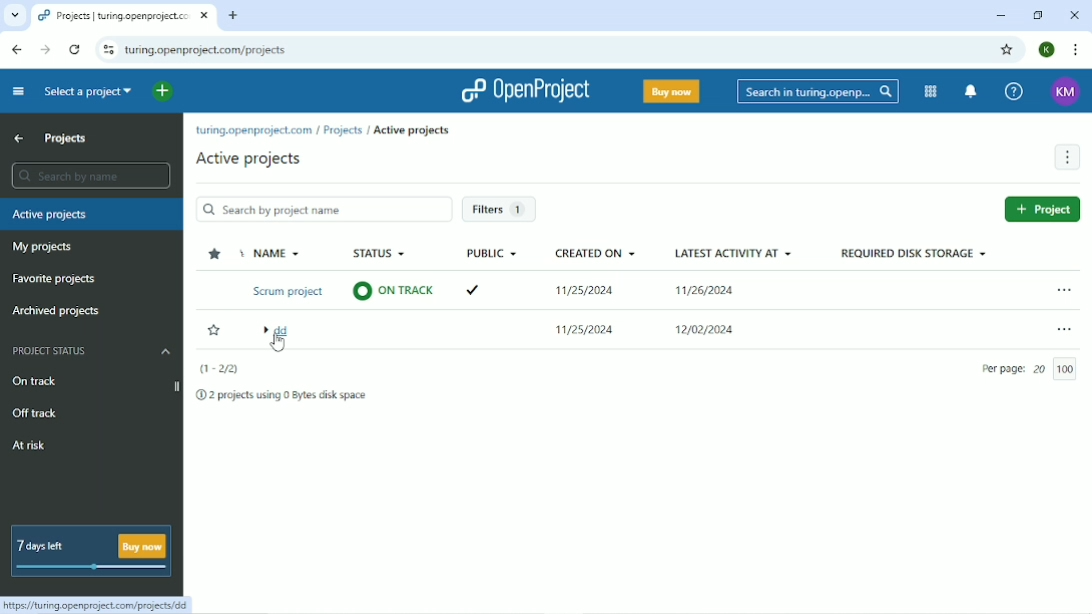  I want to click on Current tab, so click(126, 17).